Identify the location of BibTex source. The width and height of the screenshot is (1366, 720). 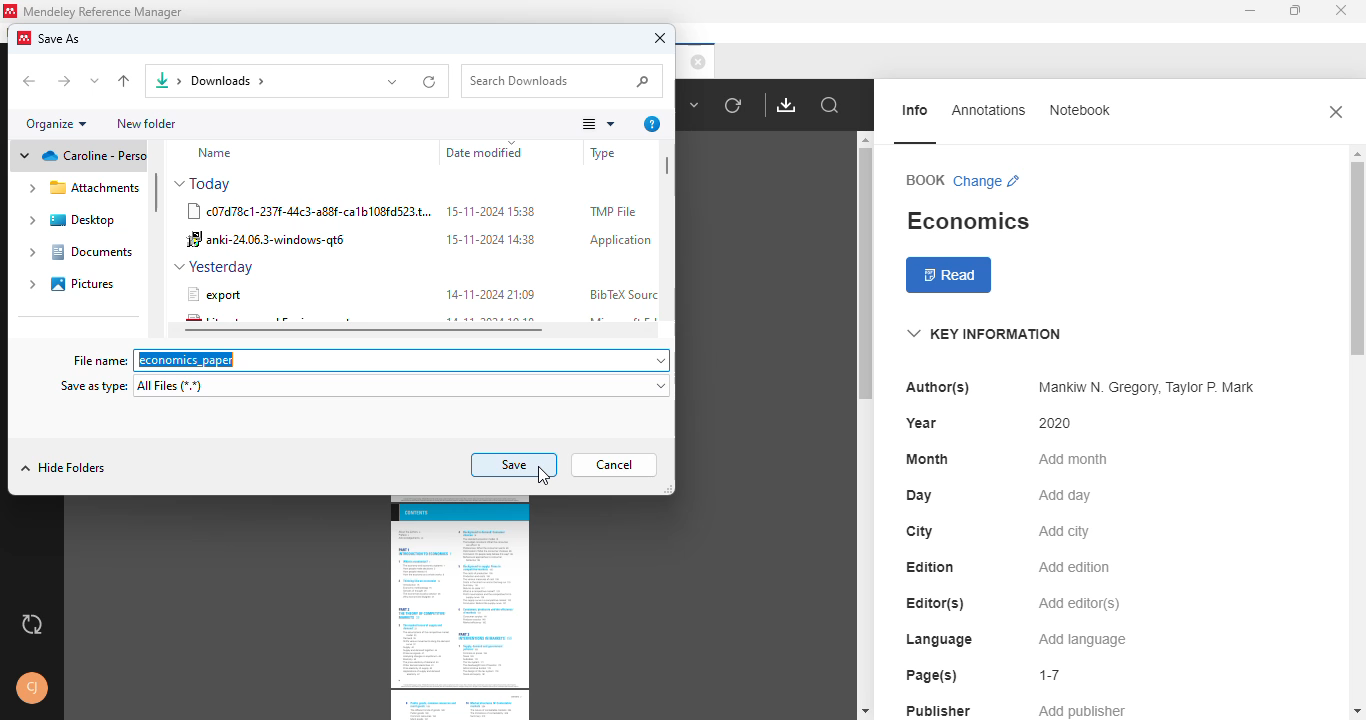
(622, 294).